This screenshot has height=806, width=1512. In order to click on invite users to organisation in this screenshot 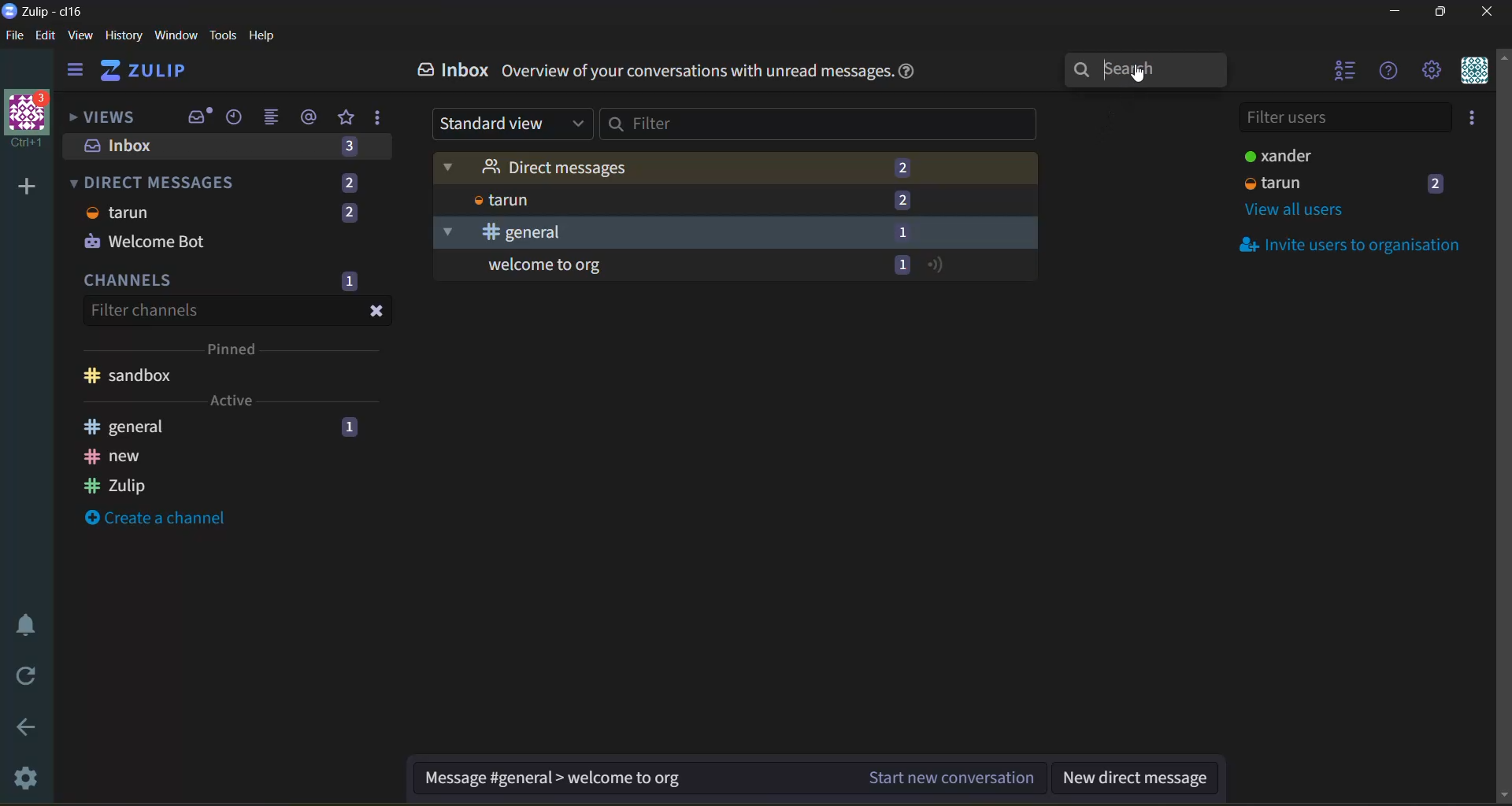, I will do `click(1343, 243)`.